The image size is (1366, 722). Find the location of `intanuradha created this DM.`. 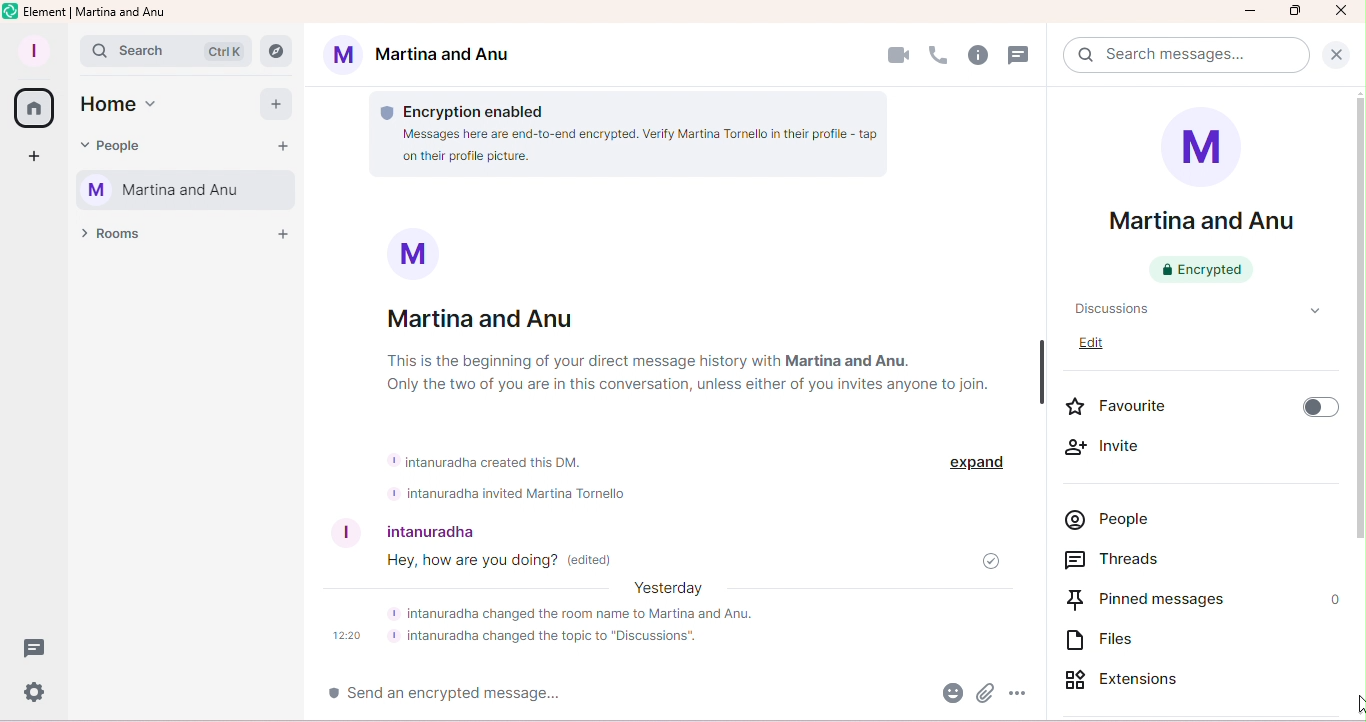

intanuradha created this DM. is located at coordinates (488, 460).